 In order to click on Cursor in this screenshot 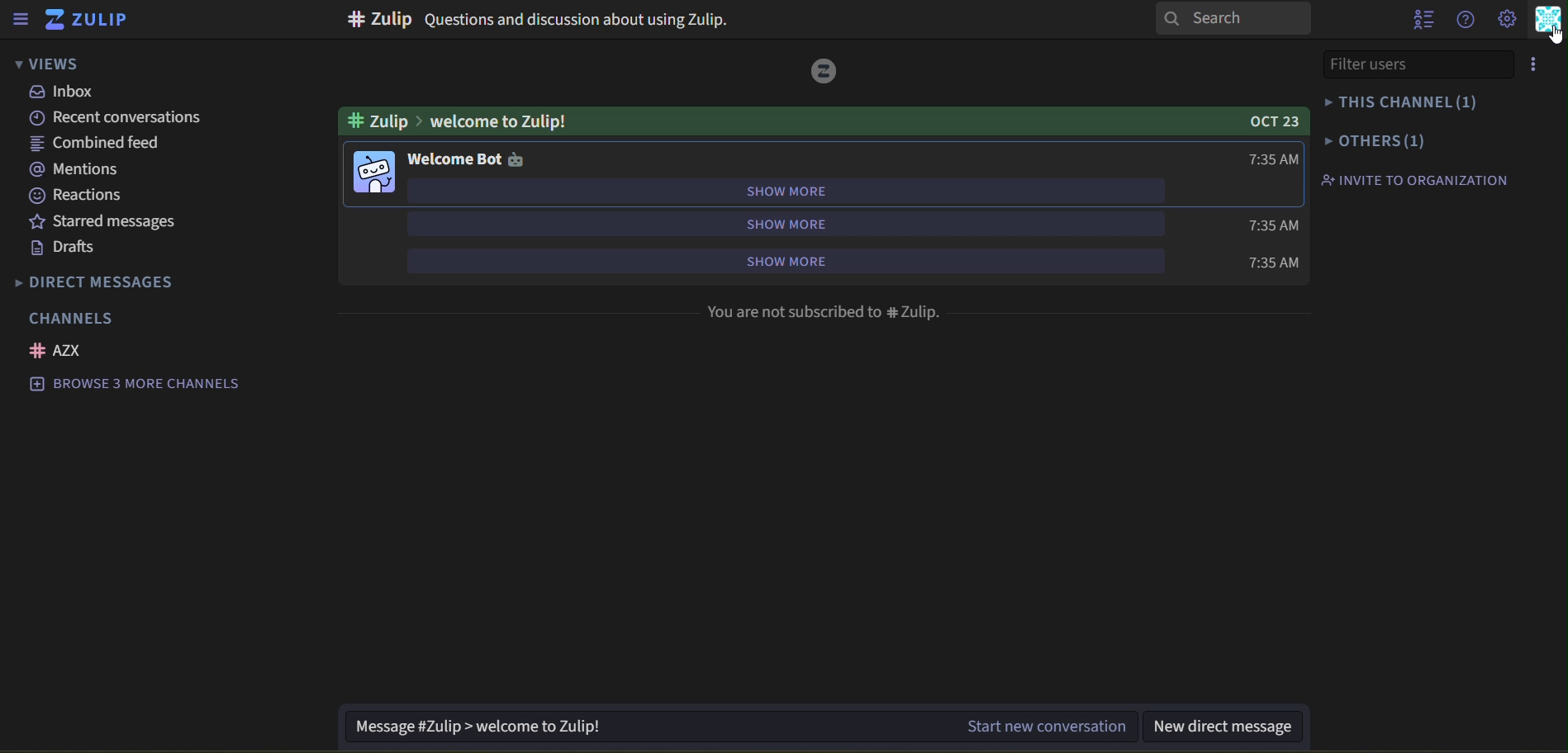, I will do `click(1556, 34)`.